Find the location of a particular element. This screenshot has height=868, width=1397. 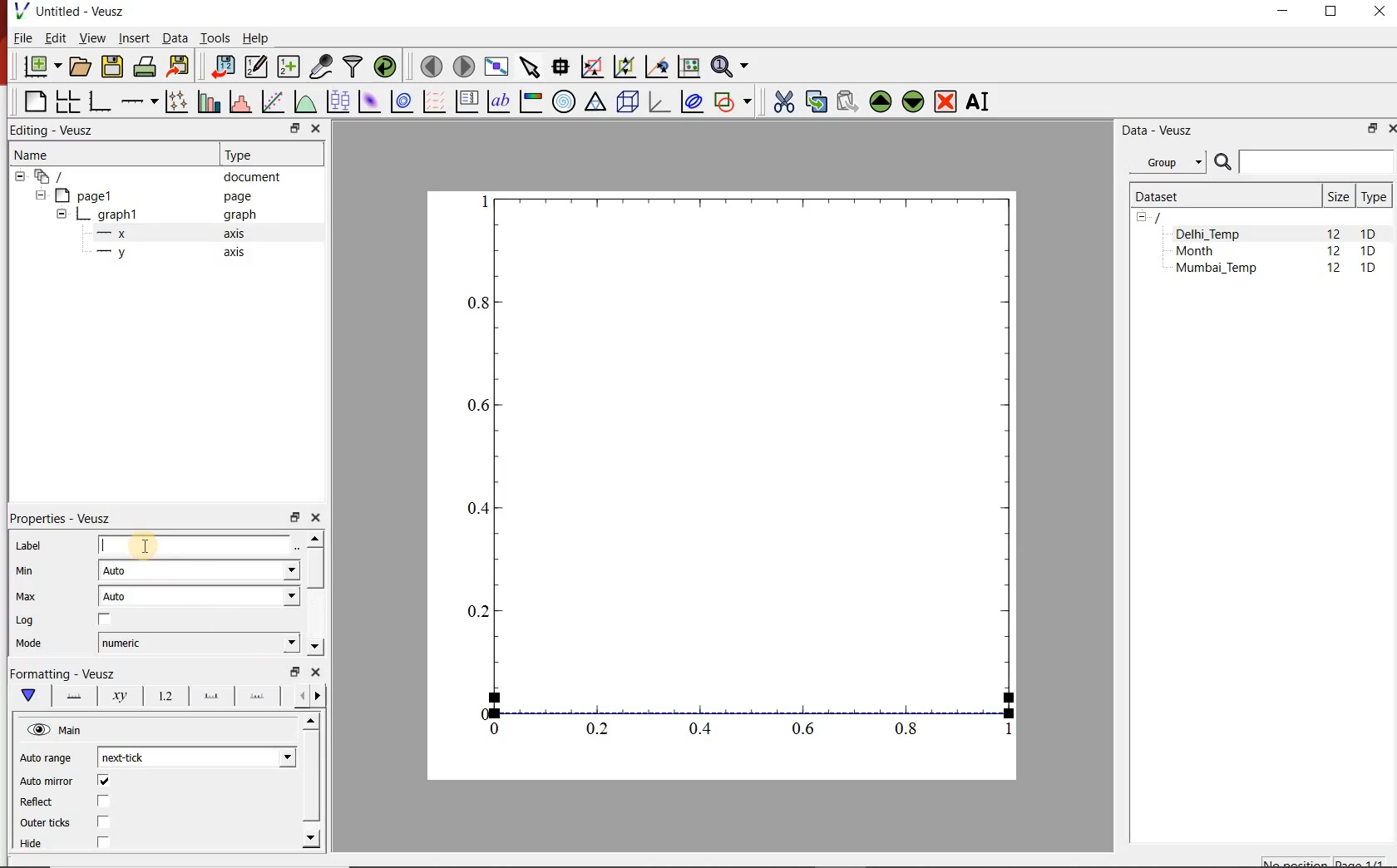

Type is located at coordinates (1374, 196).